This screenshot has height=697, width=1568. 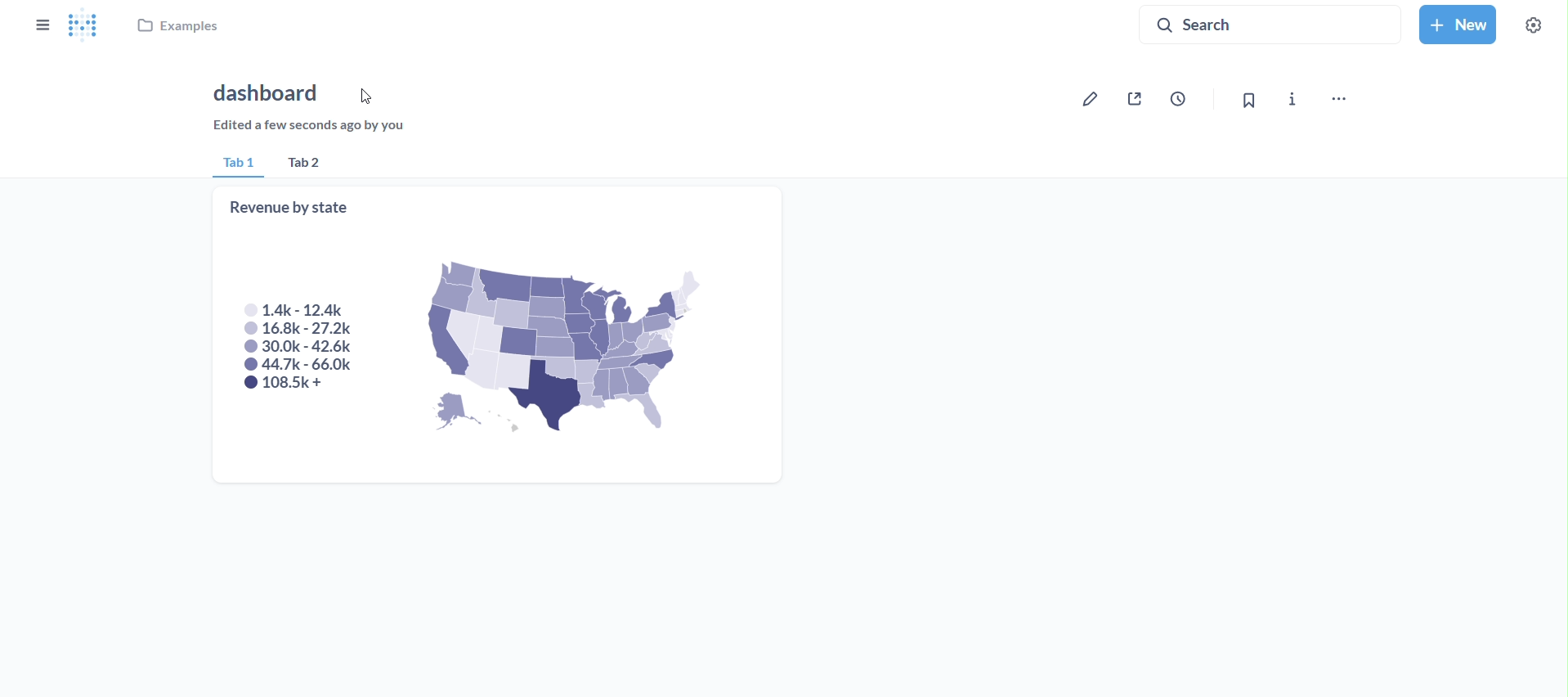 I want to click on search, so click(x=1269, y=25).